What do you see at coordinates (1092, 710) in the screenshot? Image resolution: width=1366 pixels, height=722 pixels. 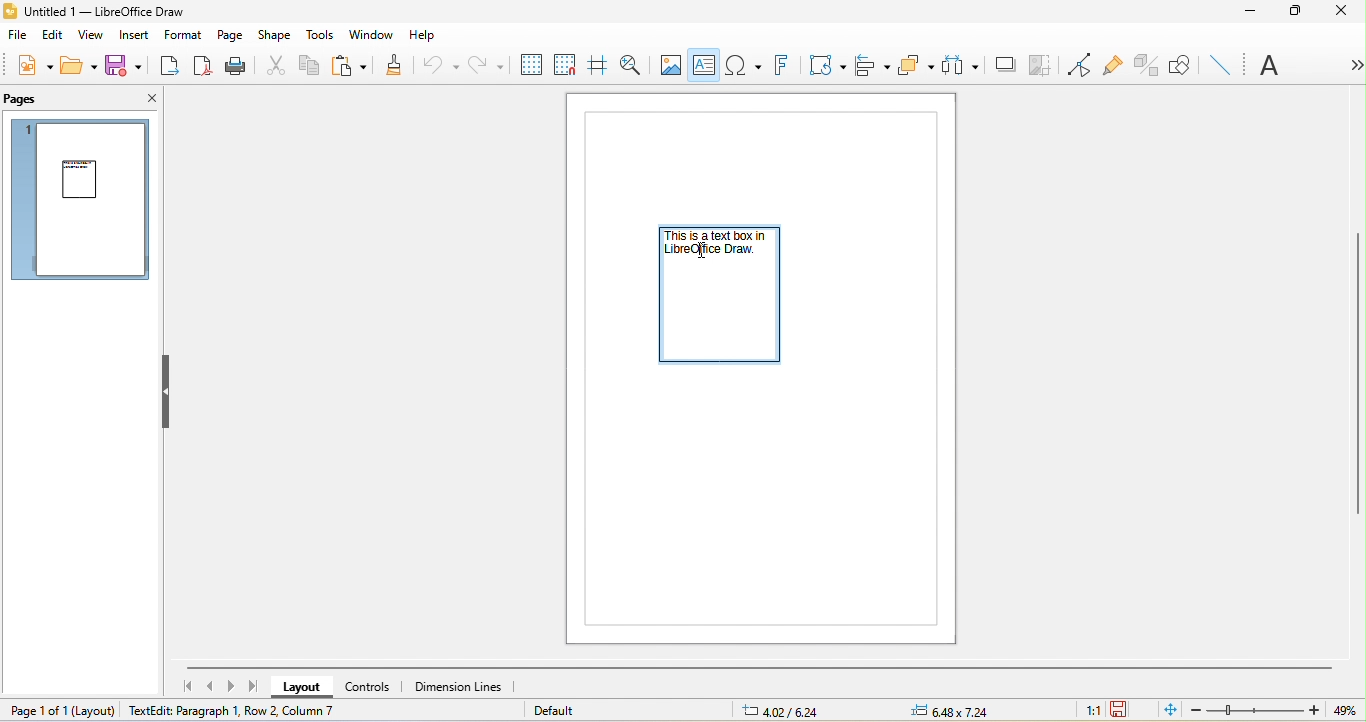 I see `1:1` at bounding box center [1092, 710].